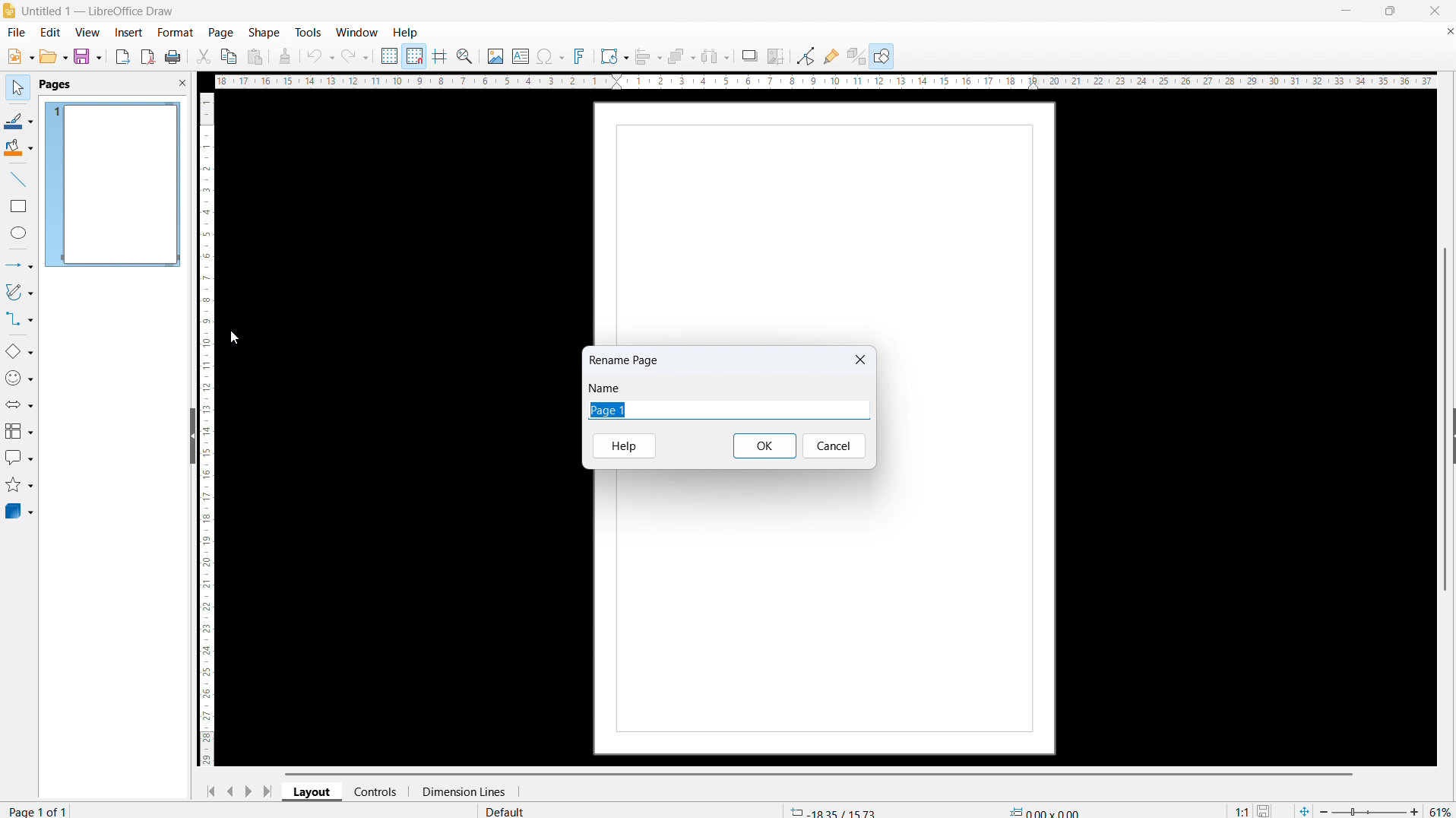  I want to click on page, so click(221, 33).